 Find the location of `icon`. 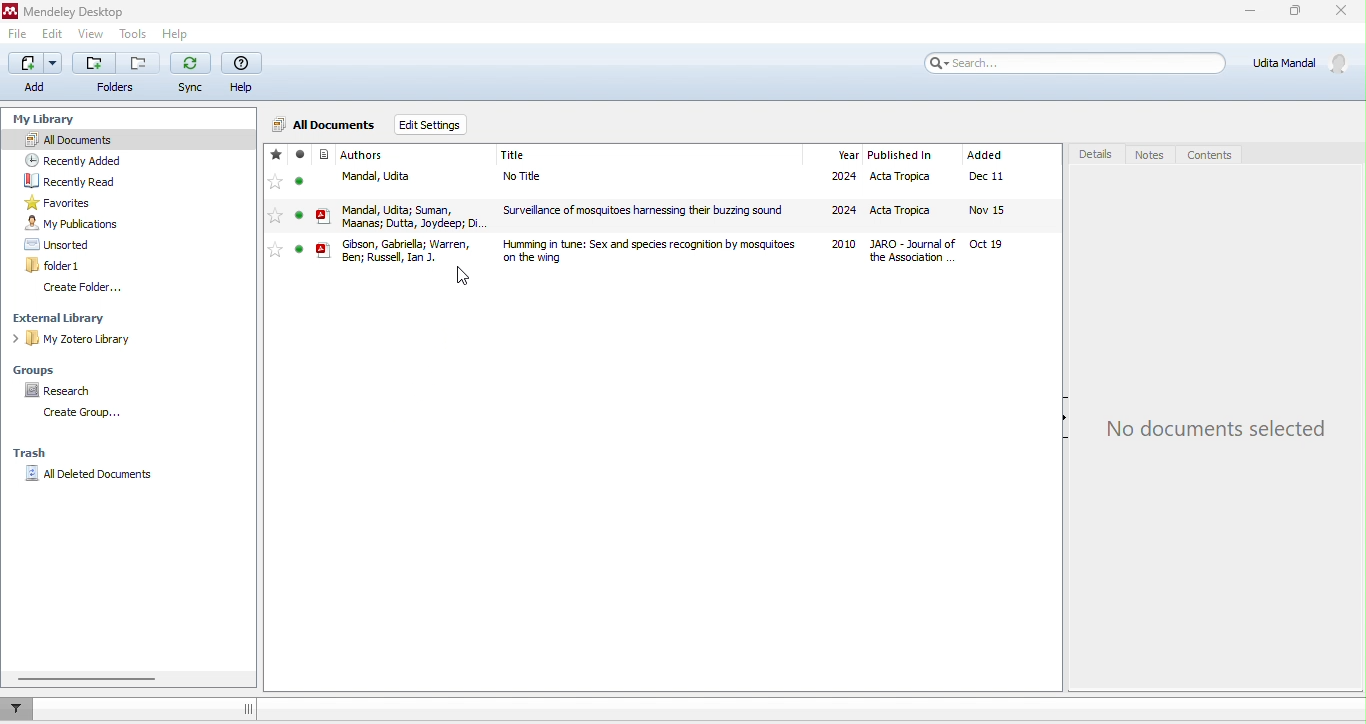

icon is located at coordinates (324, 203).